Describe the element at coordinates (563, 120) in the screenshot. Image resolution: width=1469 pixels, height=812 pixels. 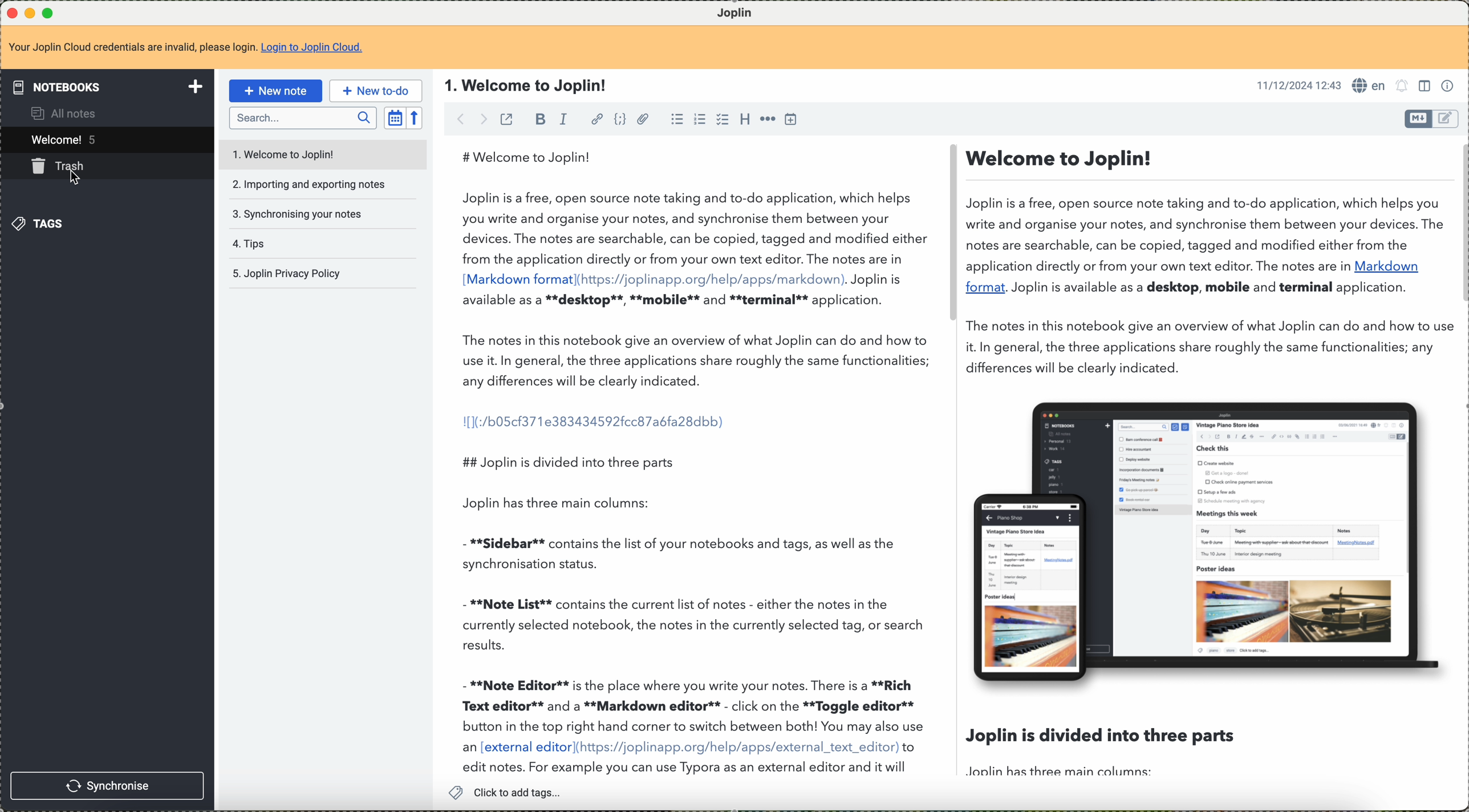
I see `italic` at that location.